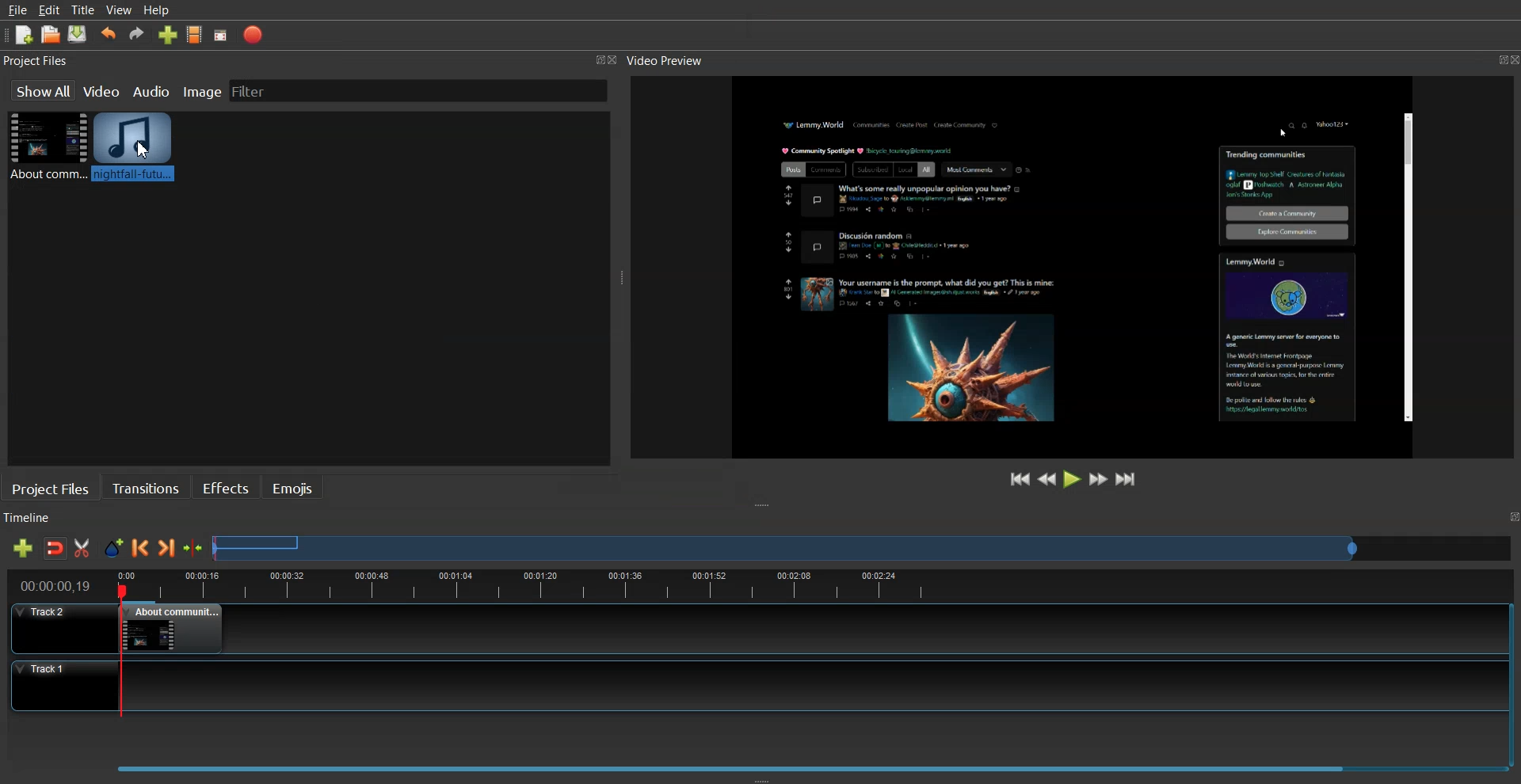  Describe the element at coordinates (42, 90) in the screenshot. I see `Show all` at that location.